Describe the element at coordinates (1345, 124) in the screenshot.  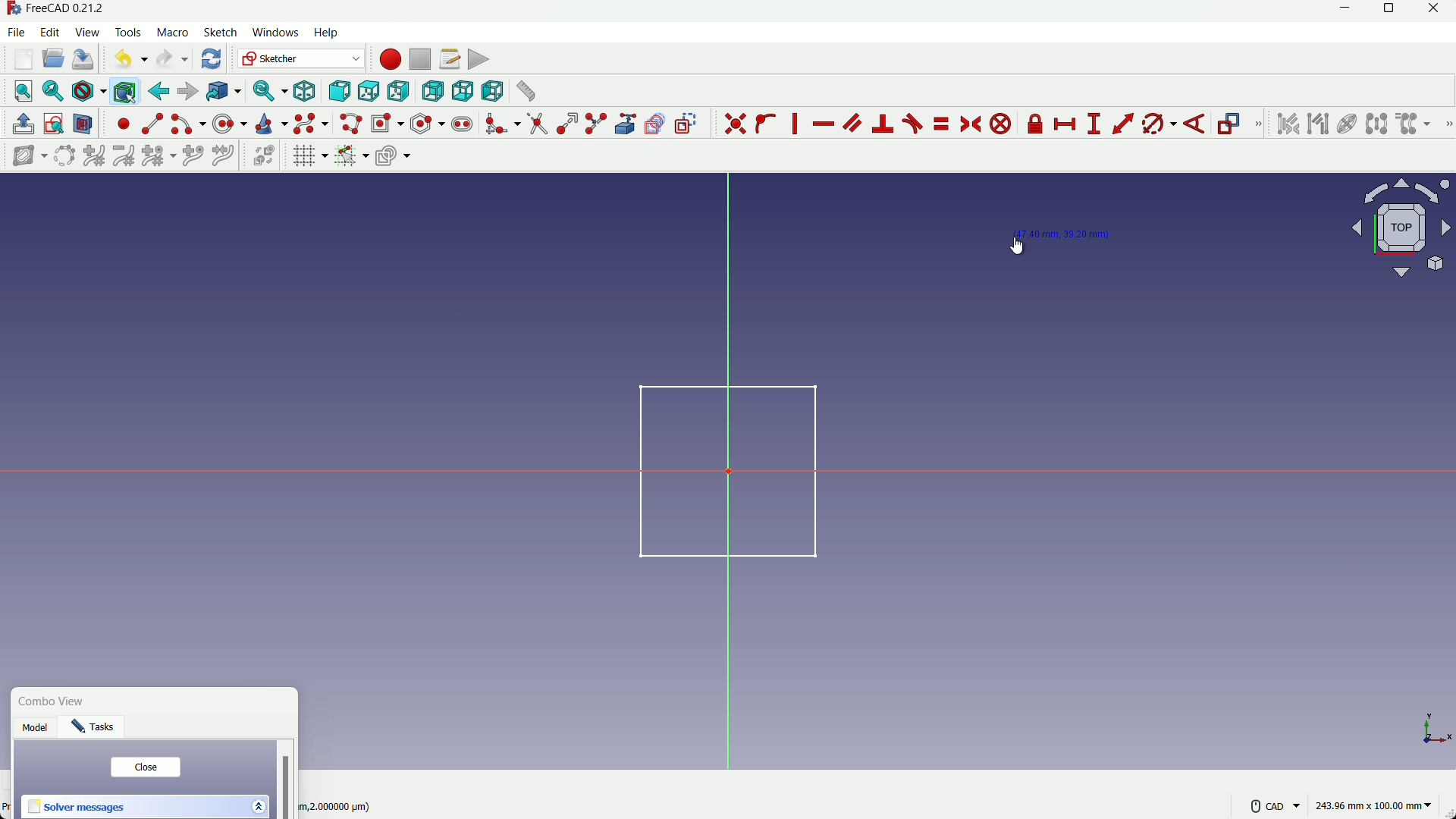
I see `show/hide internal geometry` at that location.